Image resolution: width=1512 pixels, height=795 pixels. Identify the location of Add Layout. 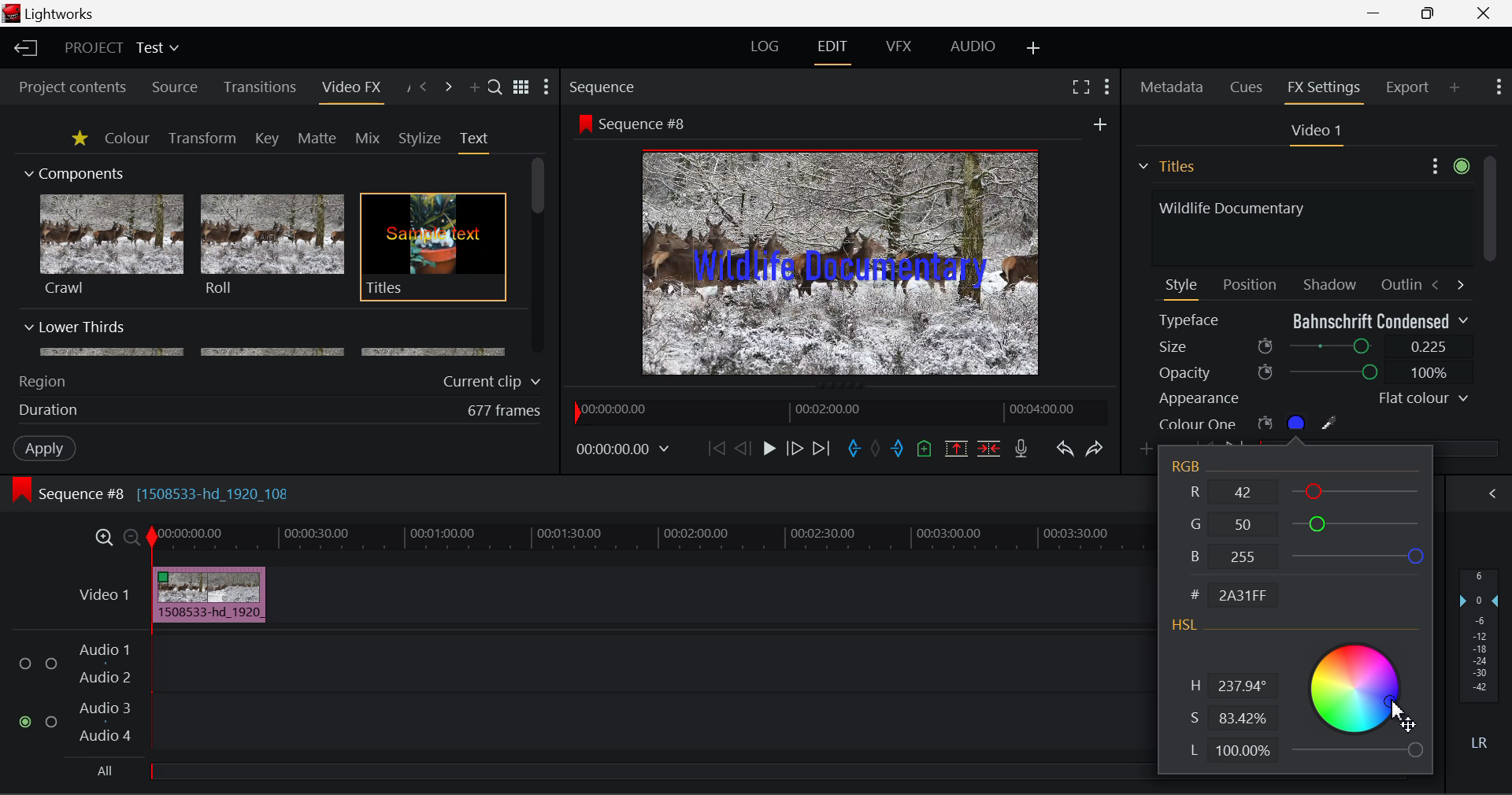
(1036, 50).